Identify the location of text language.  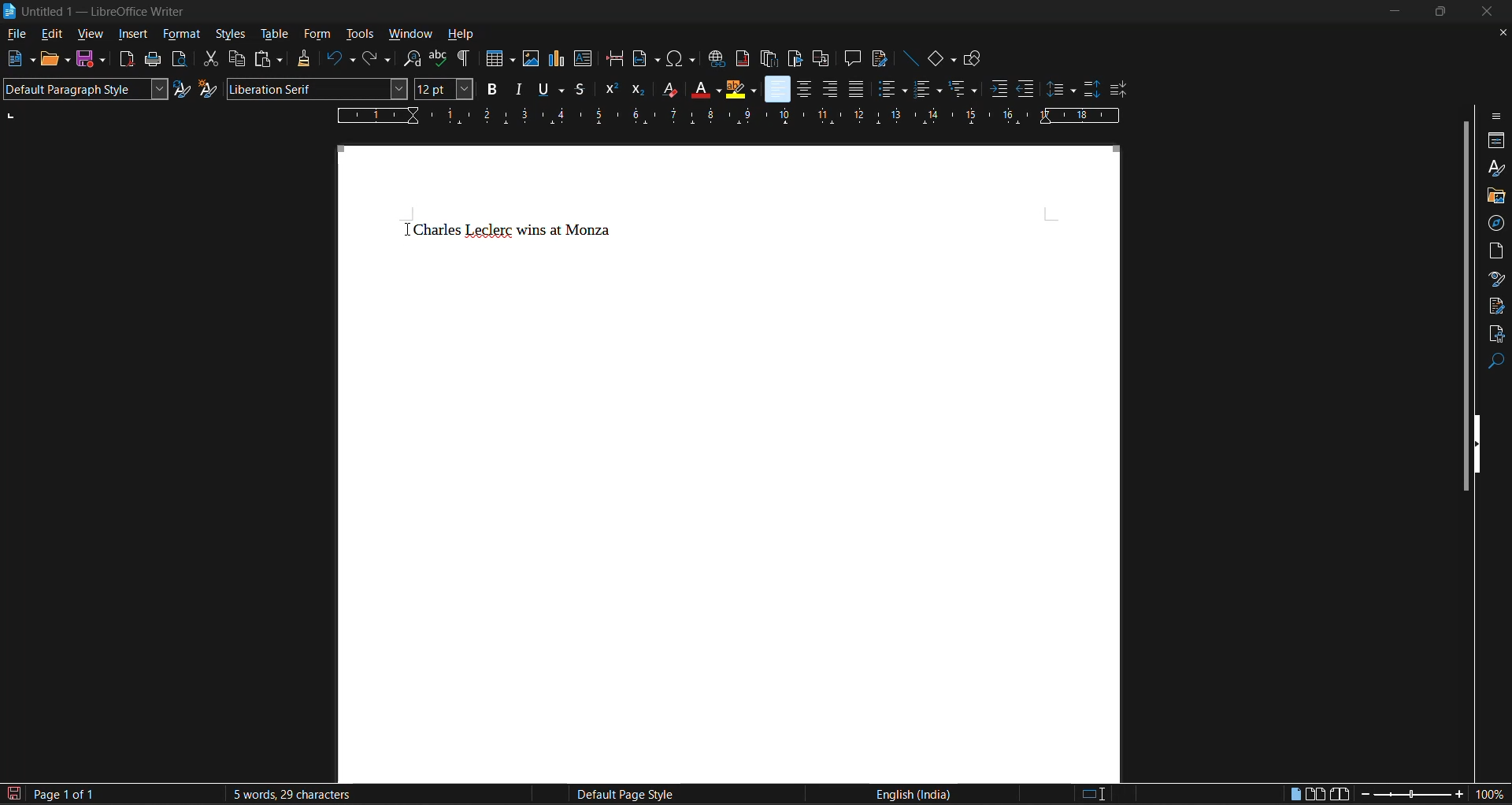
(911, 793).